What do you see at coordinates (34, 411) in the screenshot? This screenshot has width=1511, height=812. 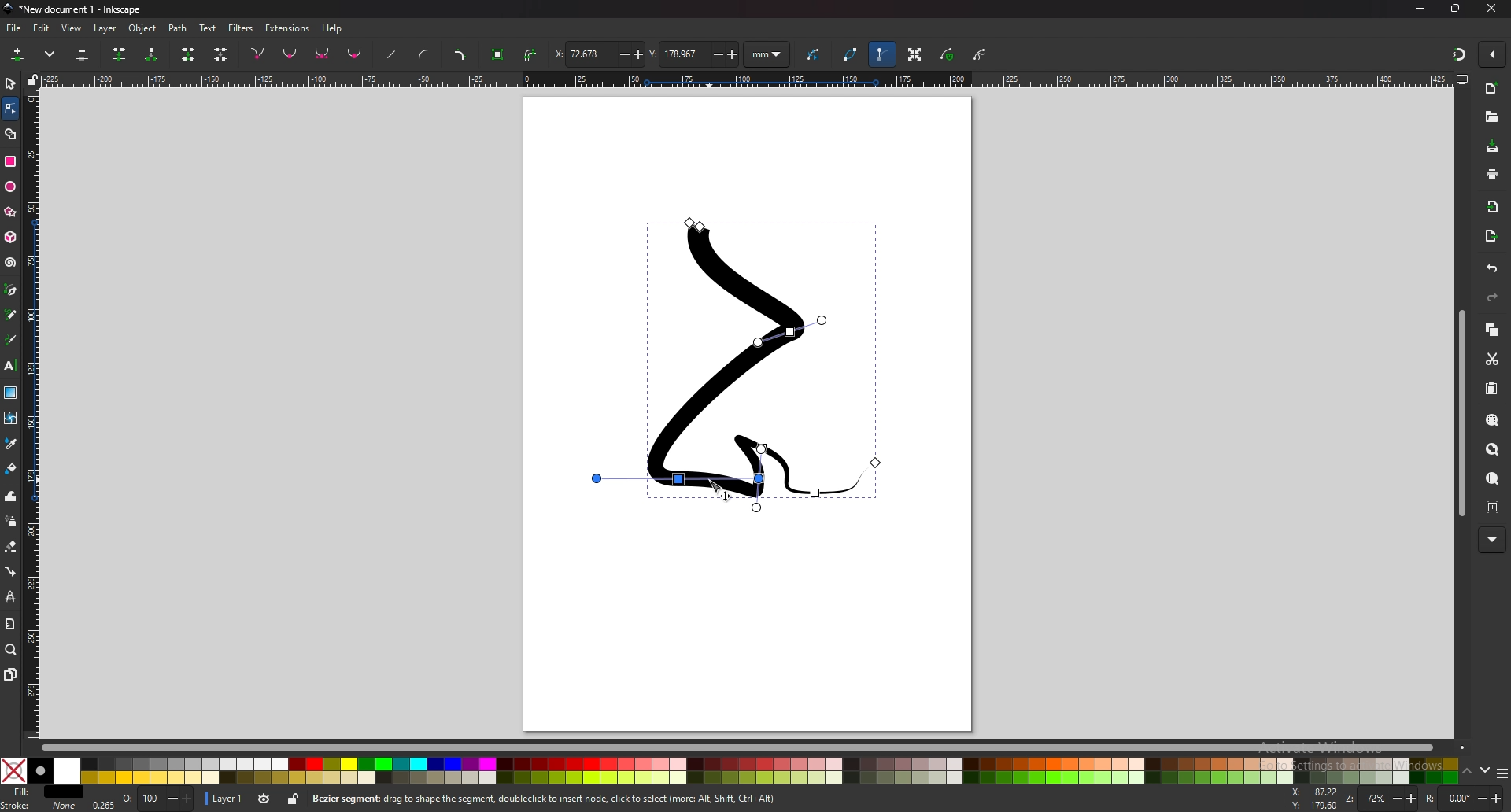 I see `vertical scale` at bounding box center [34, 411].